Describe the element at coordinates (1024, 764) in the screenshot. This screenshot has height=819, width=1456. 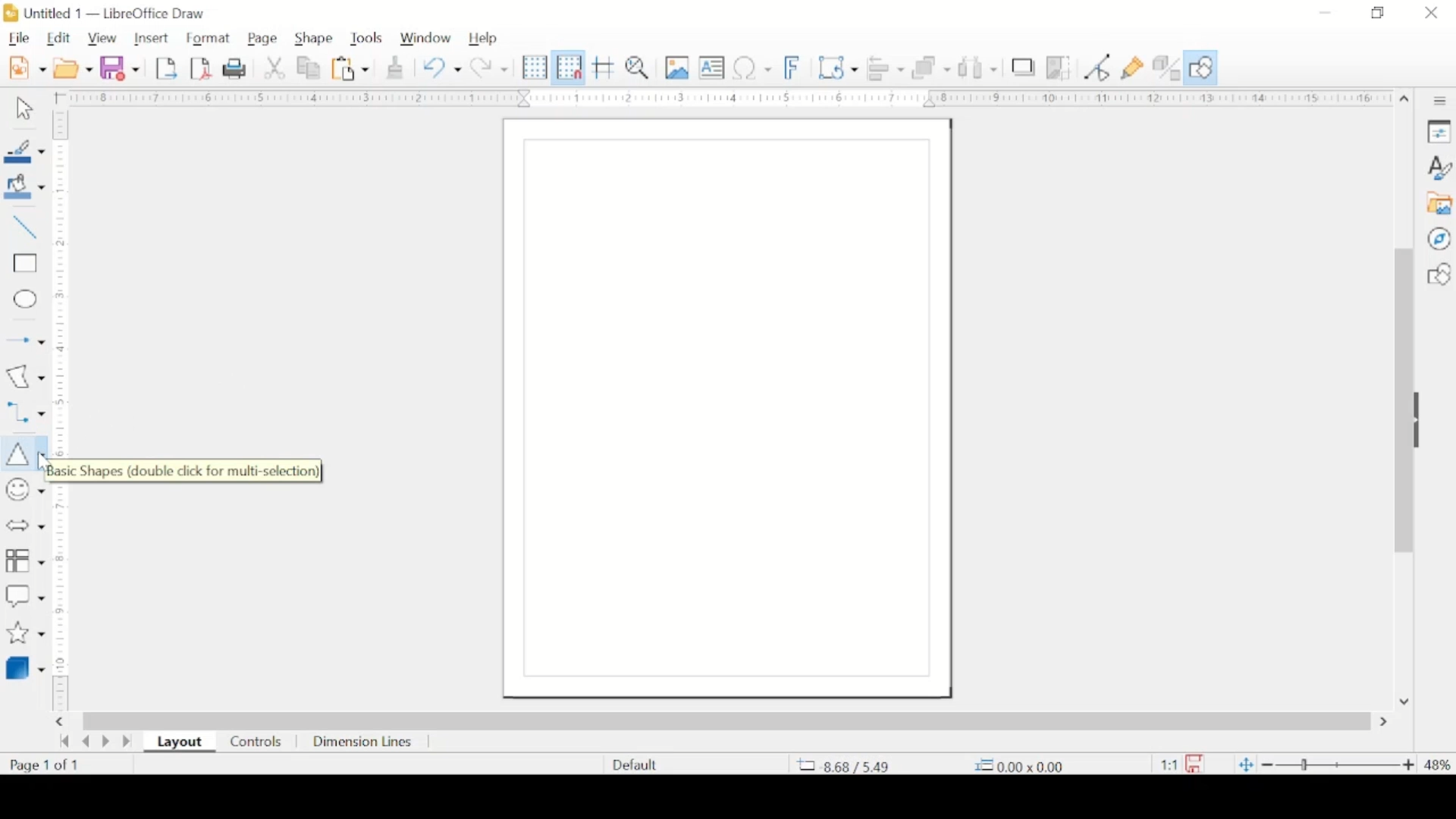
I see `coordinate` at that location.